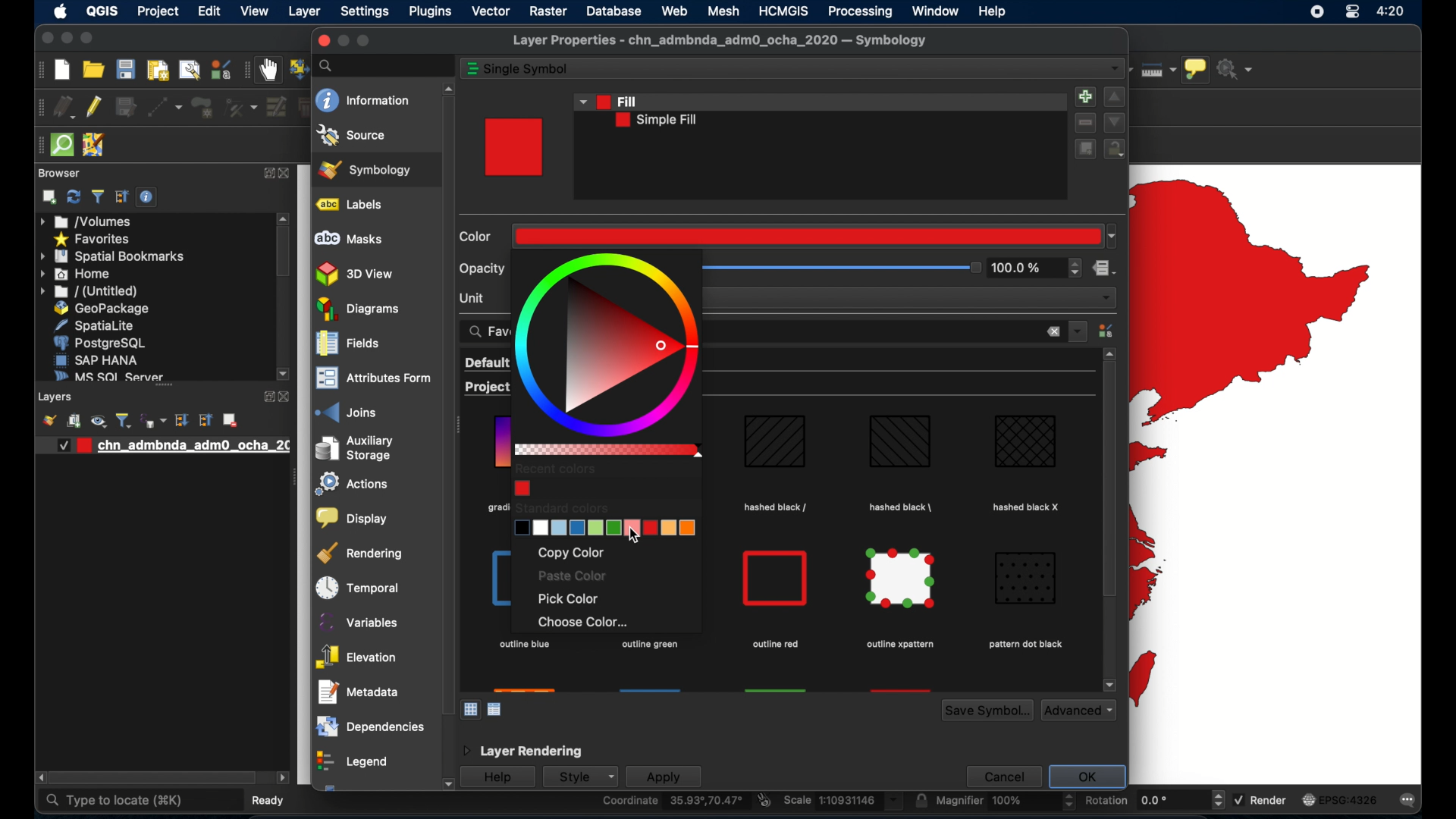 The height and width of the screenshot is (819, 1456). I want to click on project styles, so click(485, 389).